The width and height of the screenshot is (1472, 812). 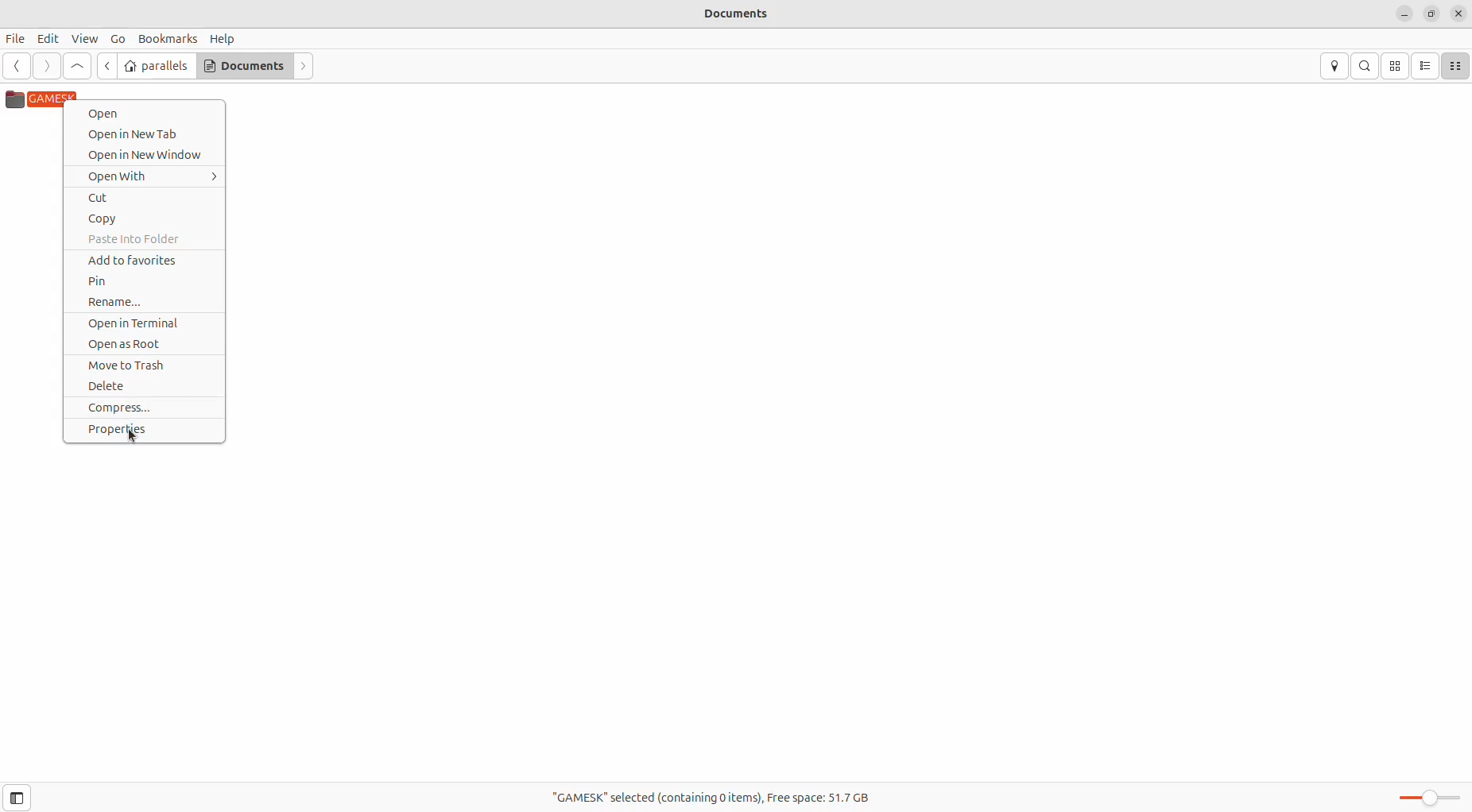 I want to click on minimize, so click(x=1405, y=16).